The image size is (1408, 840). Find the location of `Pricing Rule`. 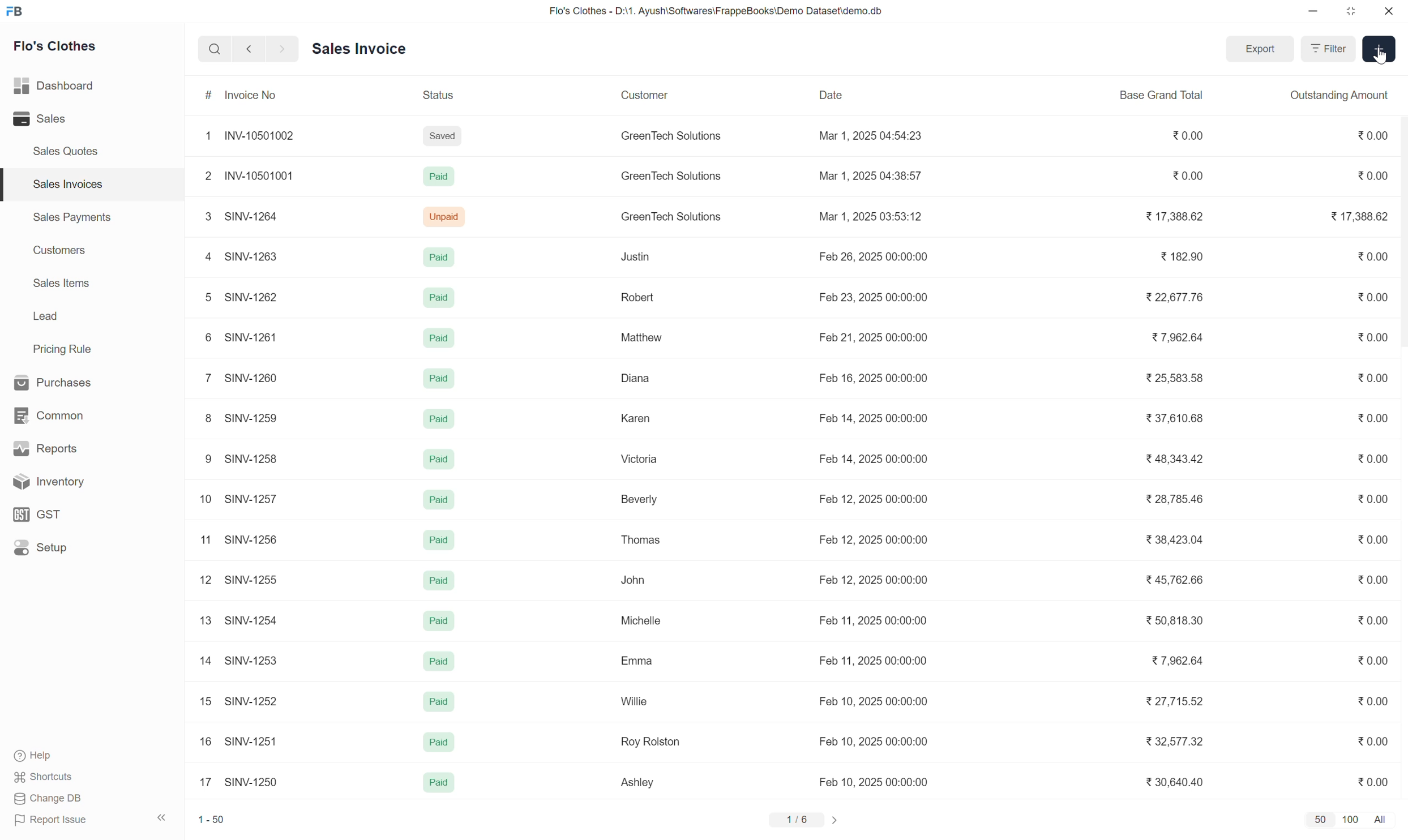

Pricing Rule is located at coordinates (64, 349).